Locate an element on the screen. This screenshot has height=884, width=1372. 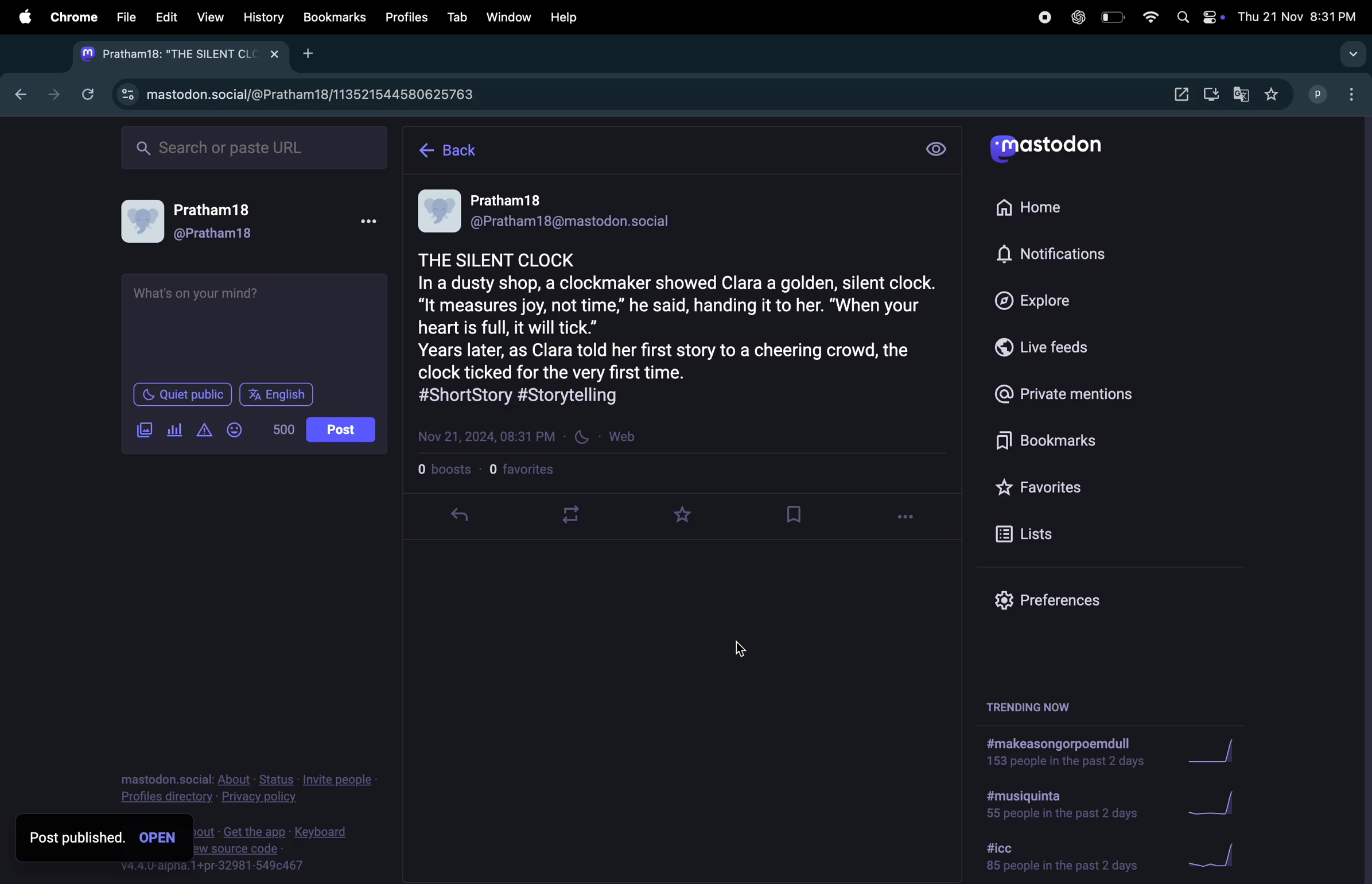
downloads is located at coordinates (1206, 95).